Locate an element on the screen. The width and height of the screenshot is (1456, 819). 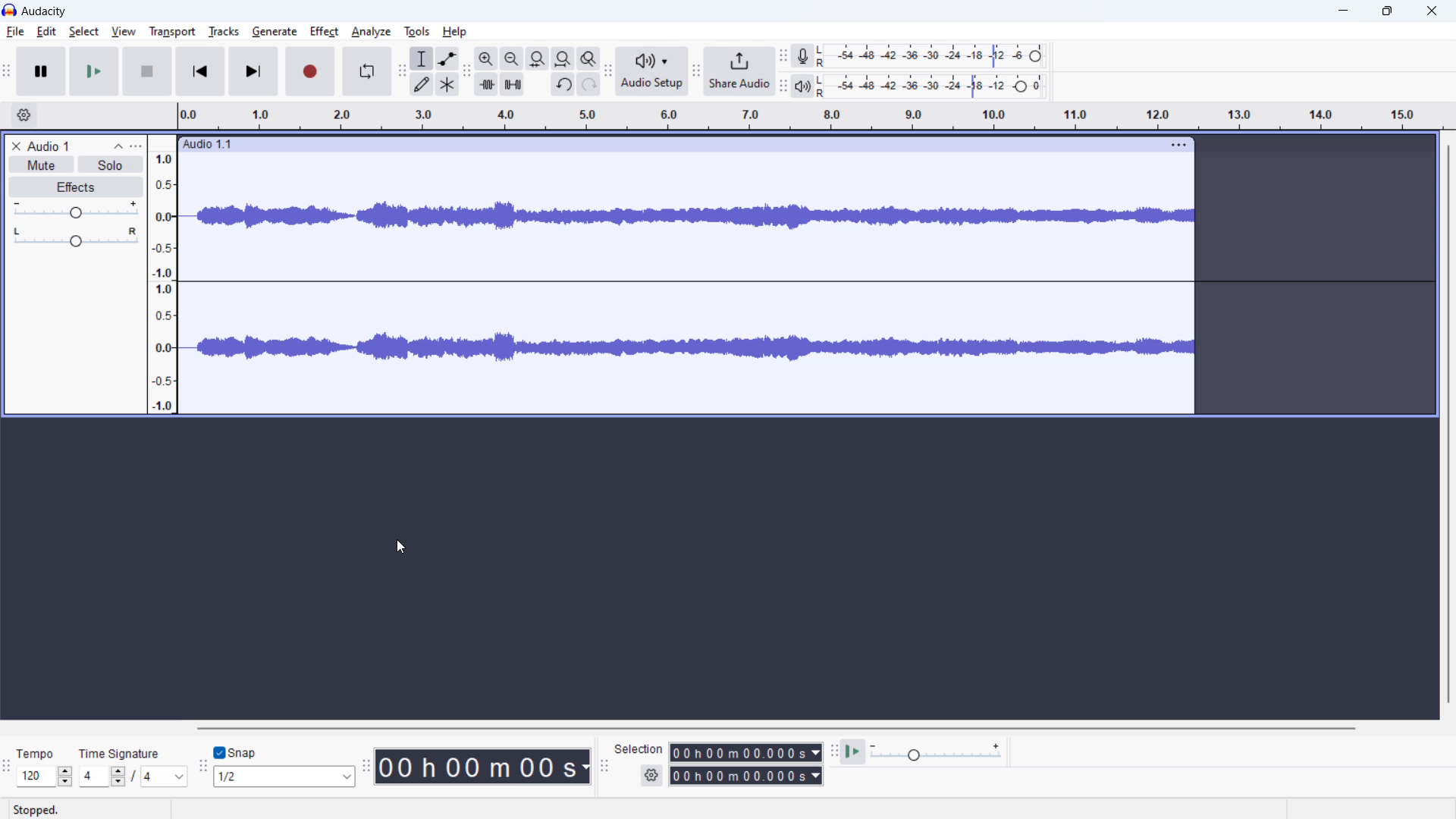
playback meter toolbar is located at coordinates (783, 87).